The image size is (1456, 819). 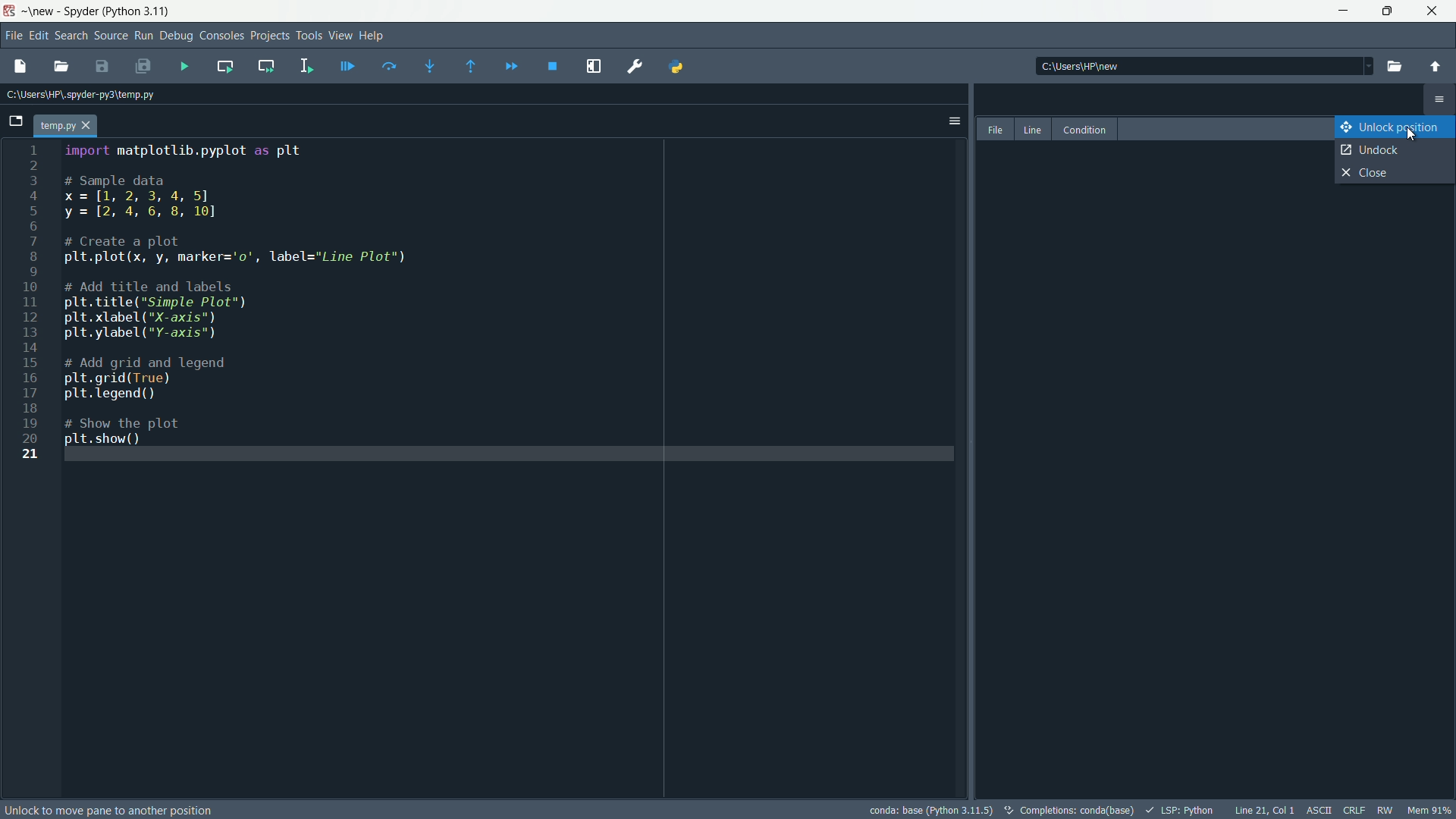 I want to click on run menu, so click(x=142, y=36).